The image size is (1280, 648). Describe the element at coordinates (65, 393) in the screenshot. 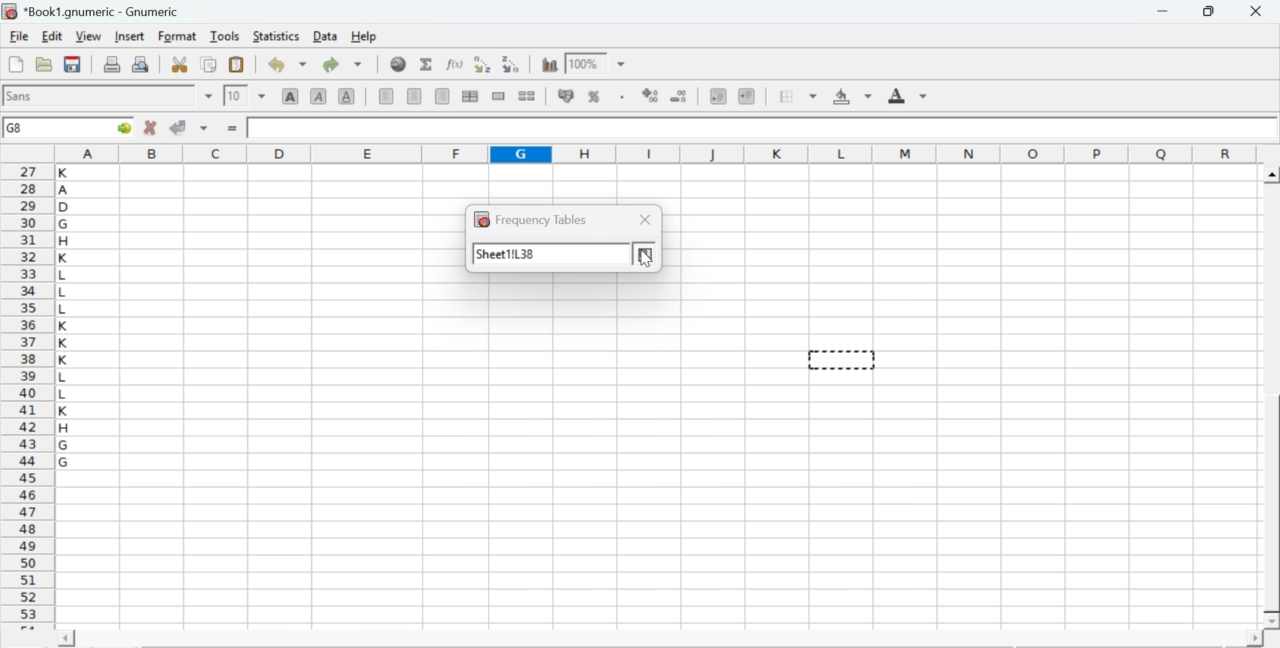

I see `alphabets` at that location.